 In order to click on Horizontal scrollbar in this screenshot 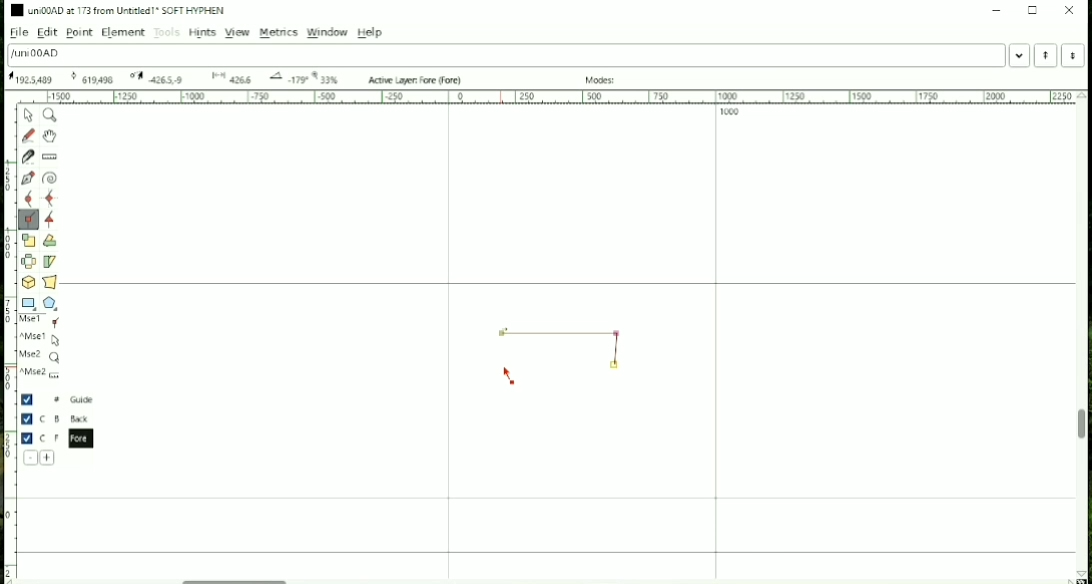, I will do `click(240, 578)`.